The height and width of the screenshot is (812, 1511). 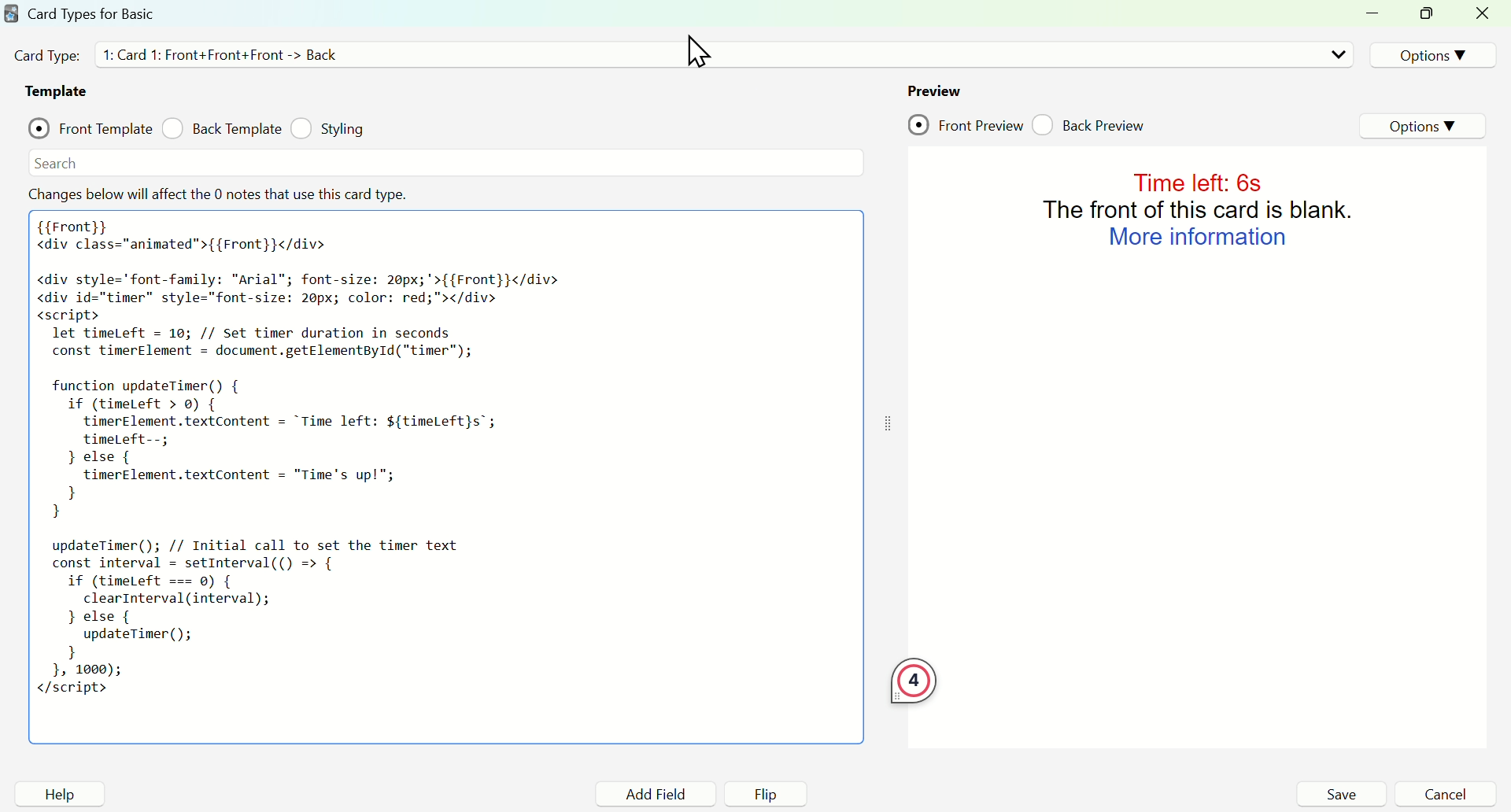 I want to click on Time left: 6s, so click(x=1195, y=181).